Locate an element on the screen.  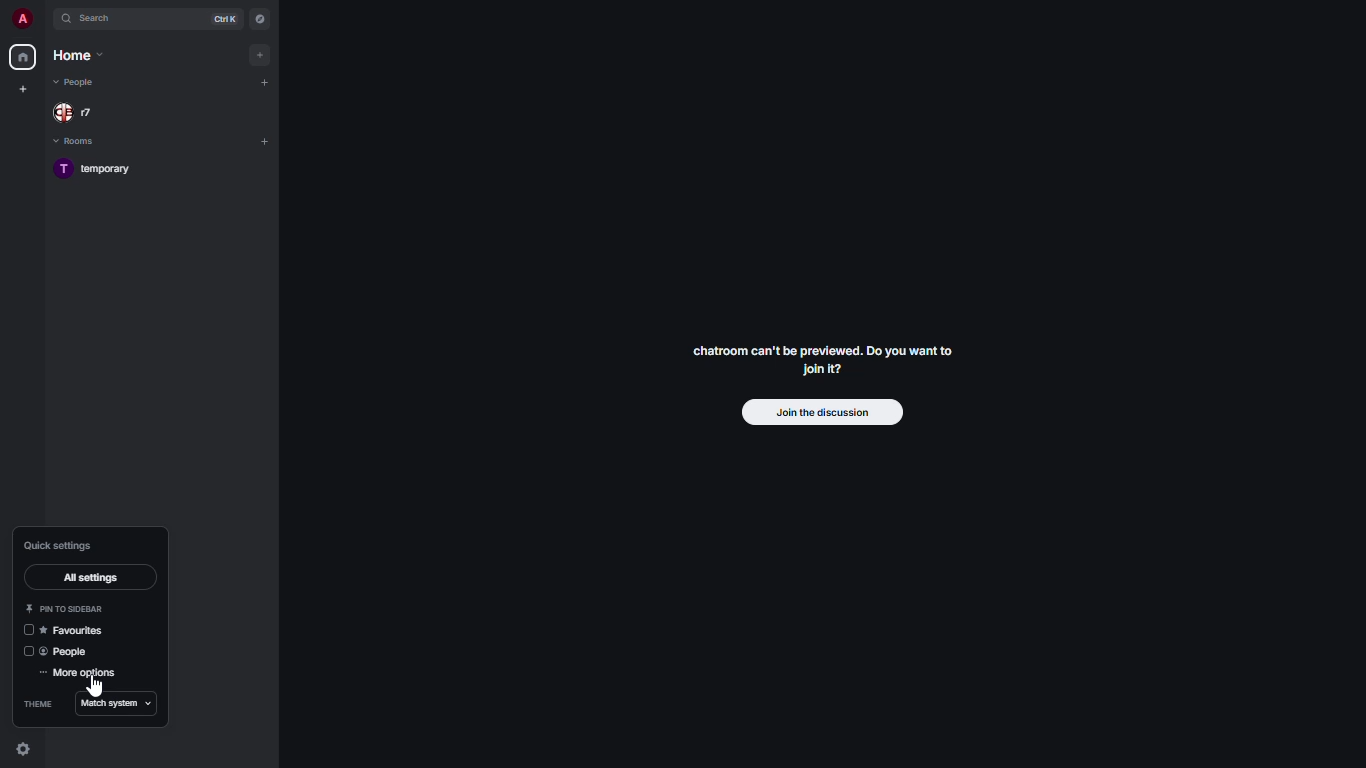
chatroom can't be previewed. Do you want to
Joint? is located at coordinates (829, 364).